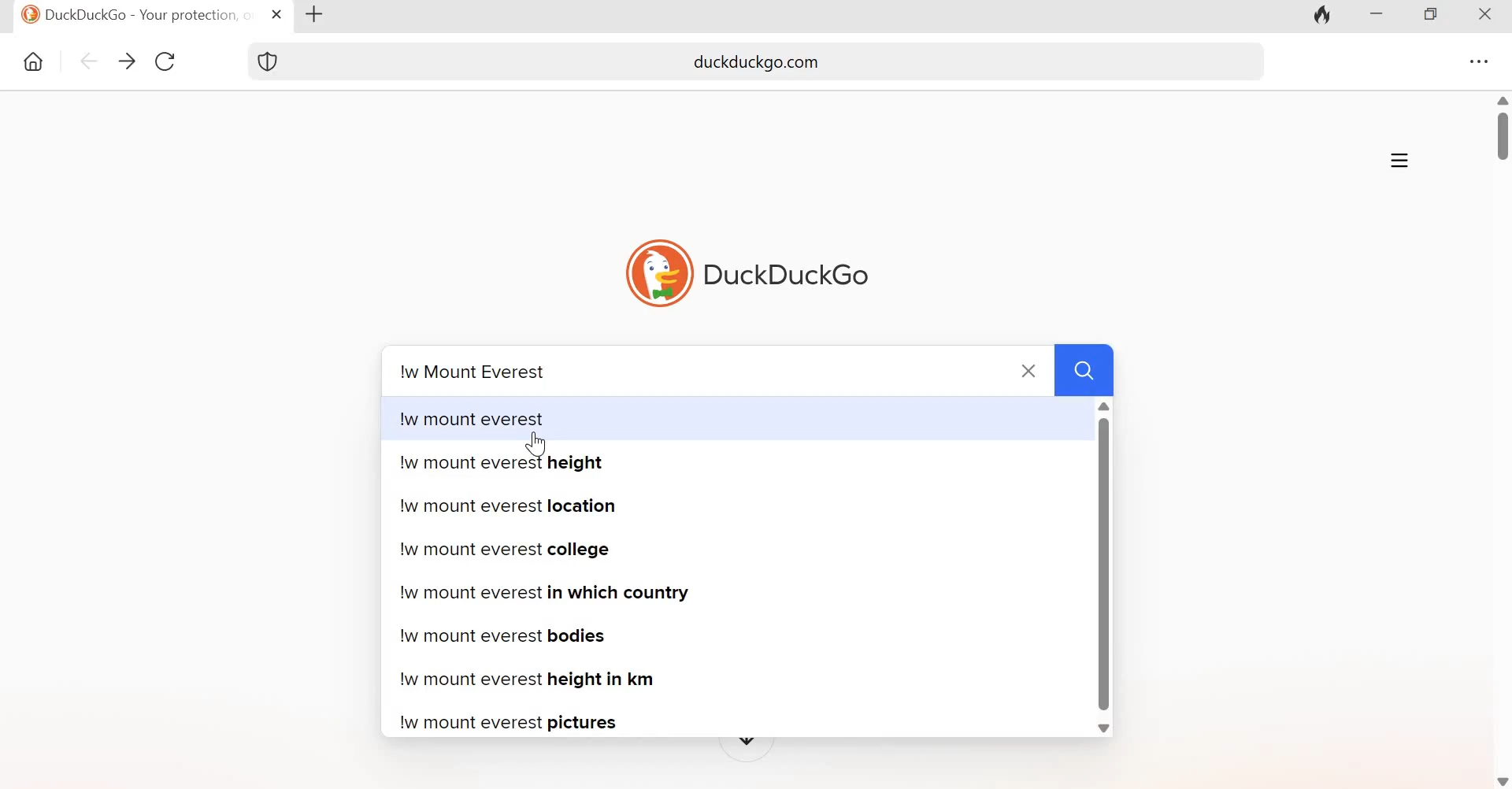 This screenshot has height=789, width=1512. Describe the element at coordinates (1322, 17) in the screenshot. I see `Fire ` at that location.